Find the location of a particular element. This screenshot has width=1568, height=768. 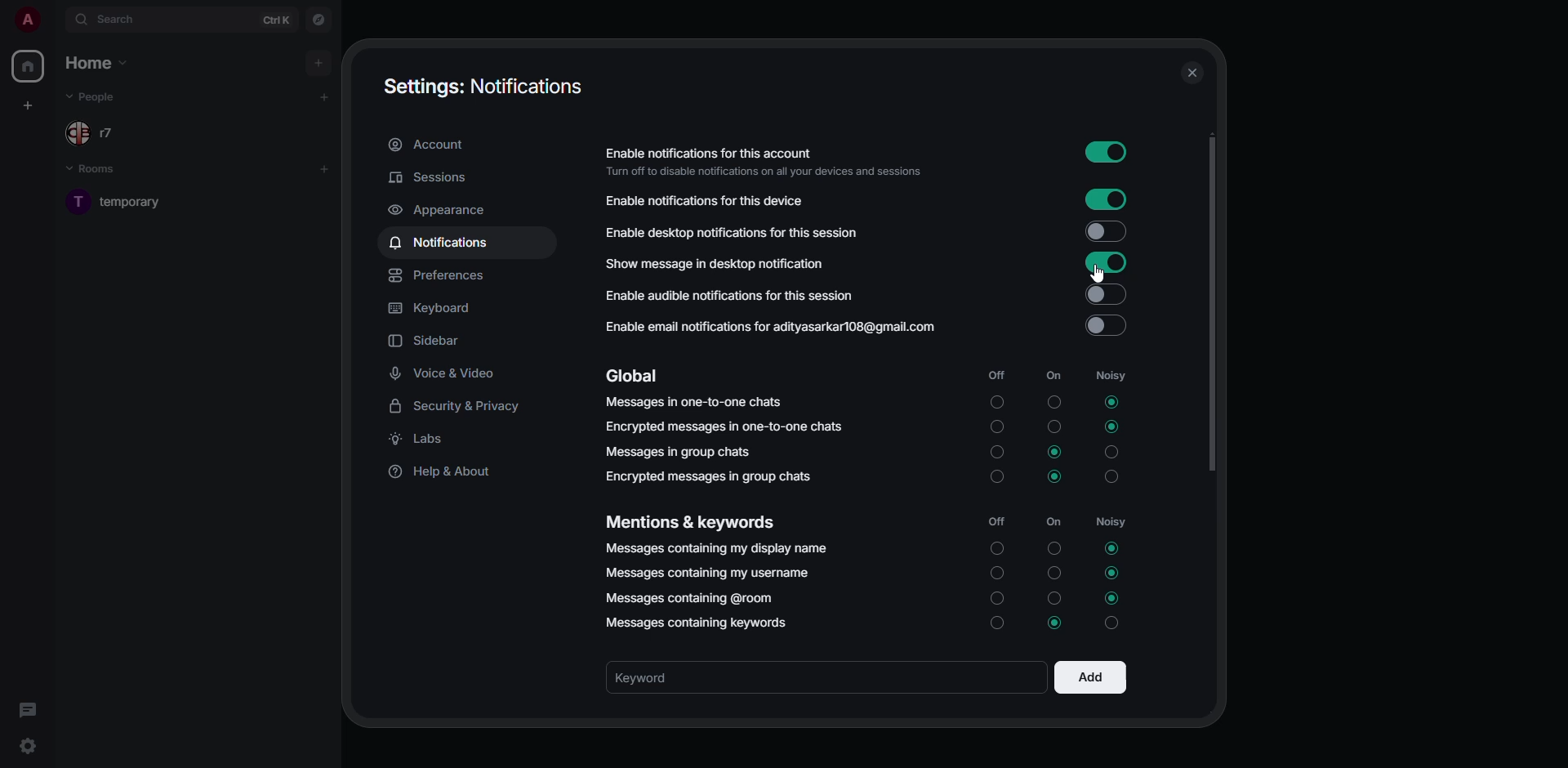

notifications is located at coordinates (443, 241).